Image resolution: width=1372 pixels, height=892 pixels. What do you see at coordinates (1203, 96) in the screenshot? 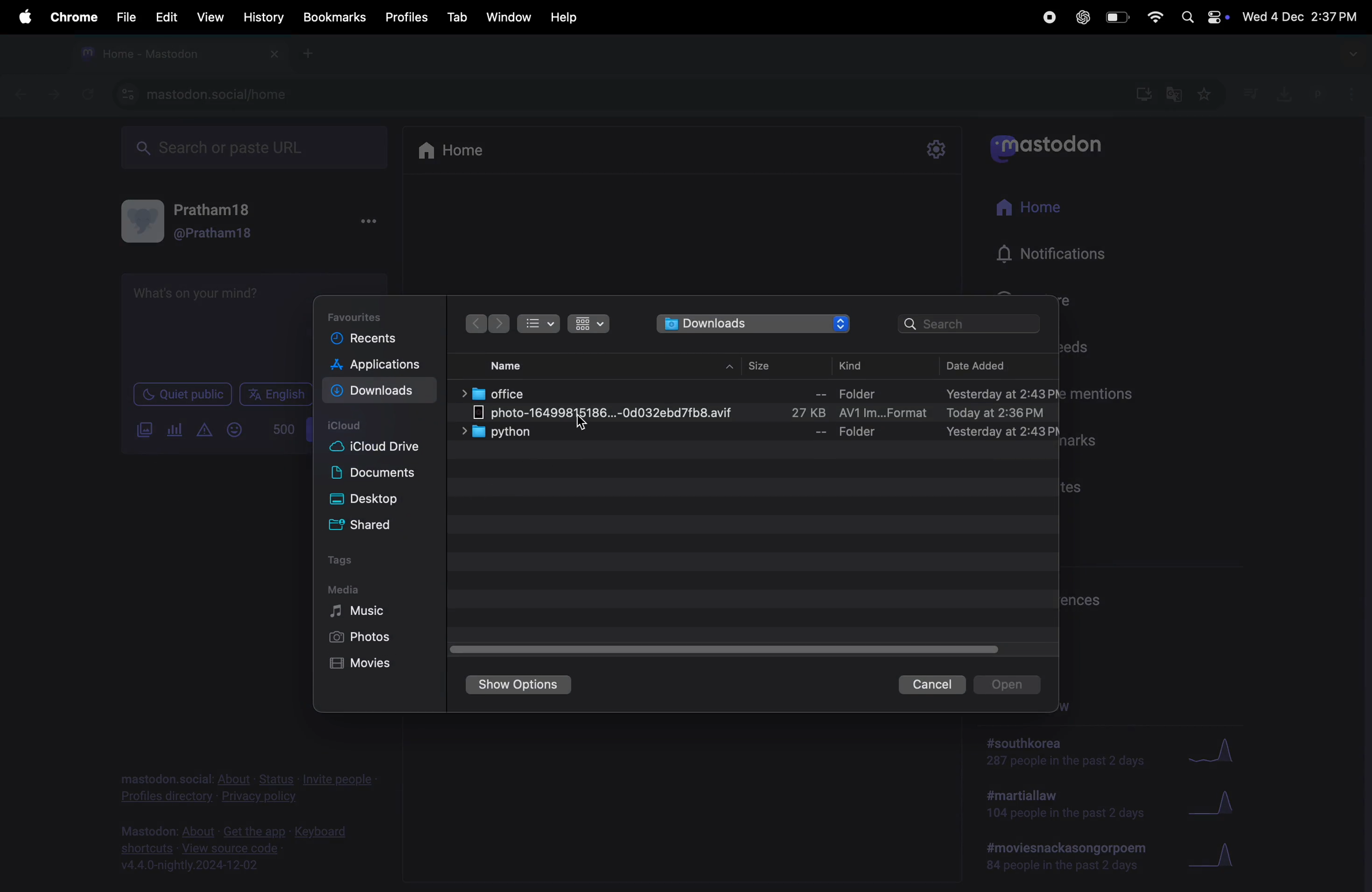
I see `favourites` at bounding box center [1203, 96].